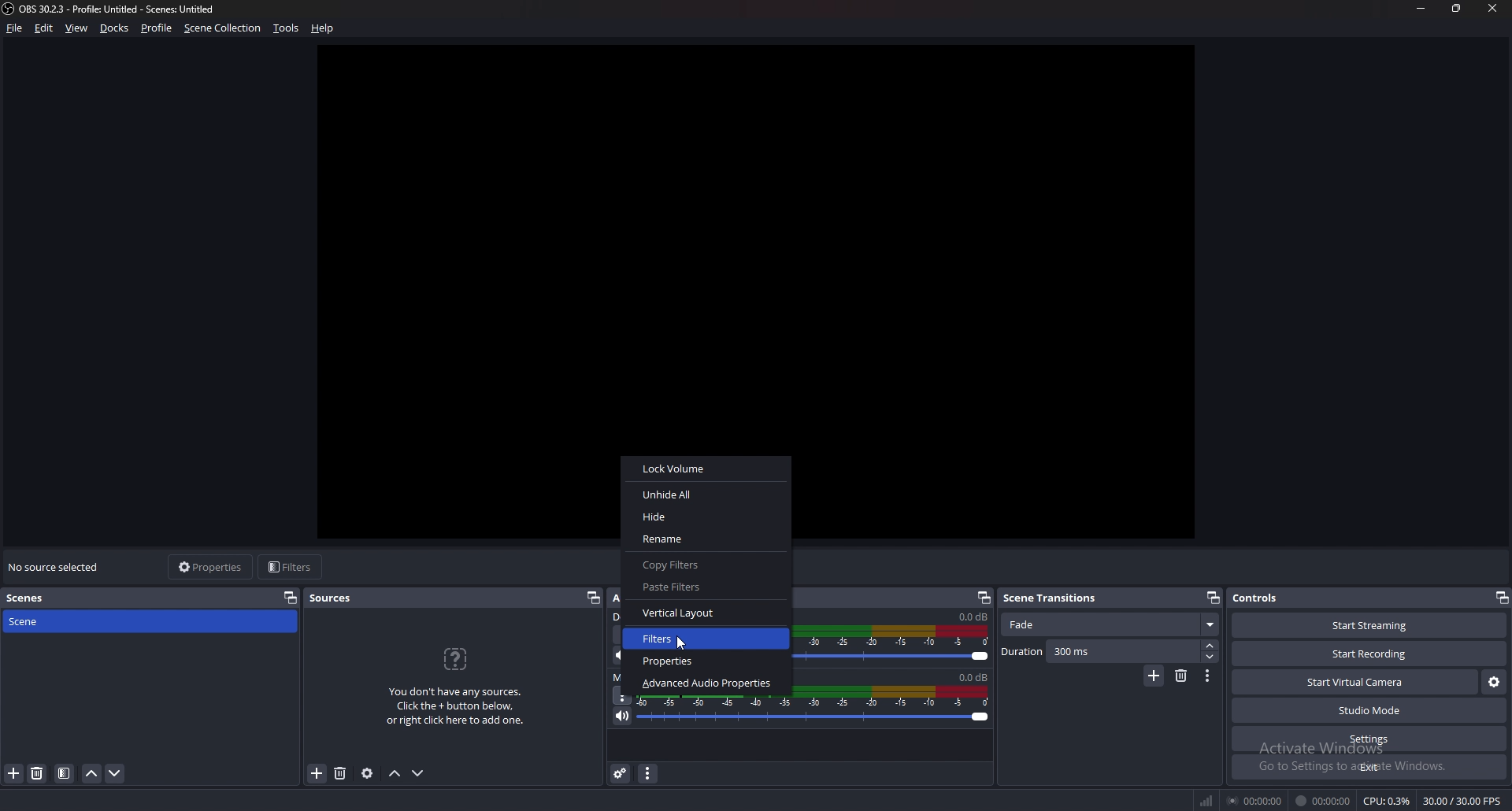  What do you see at coordinates (1421, 9) in the screenshot?
I see `minimize` at bounding box center [1421, 9].